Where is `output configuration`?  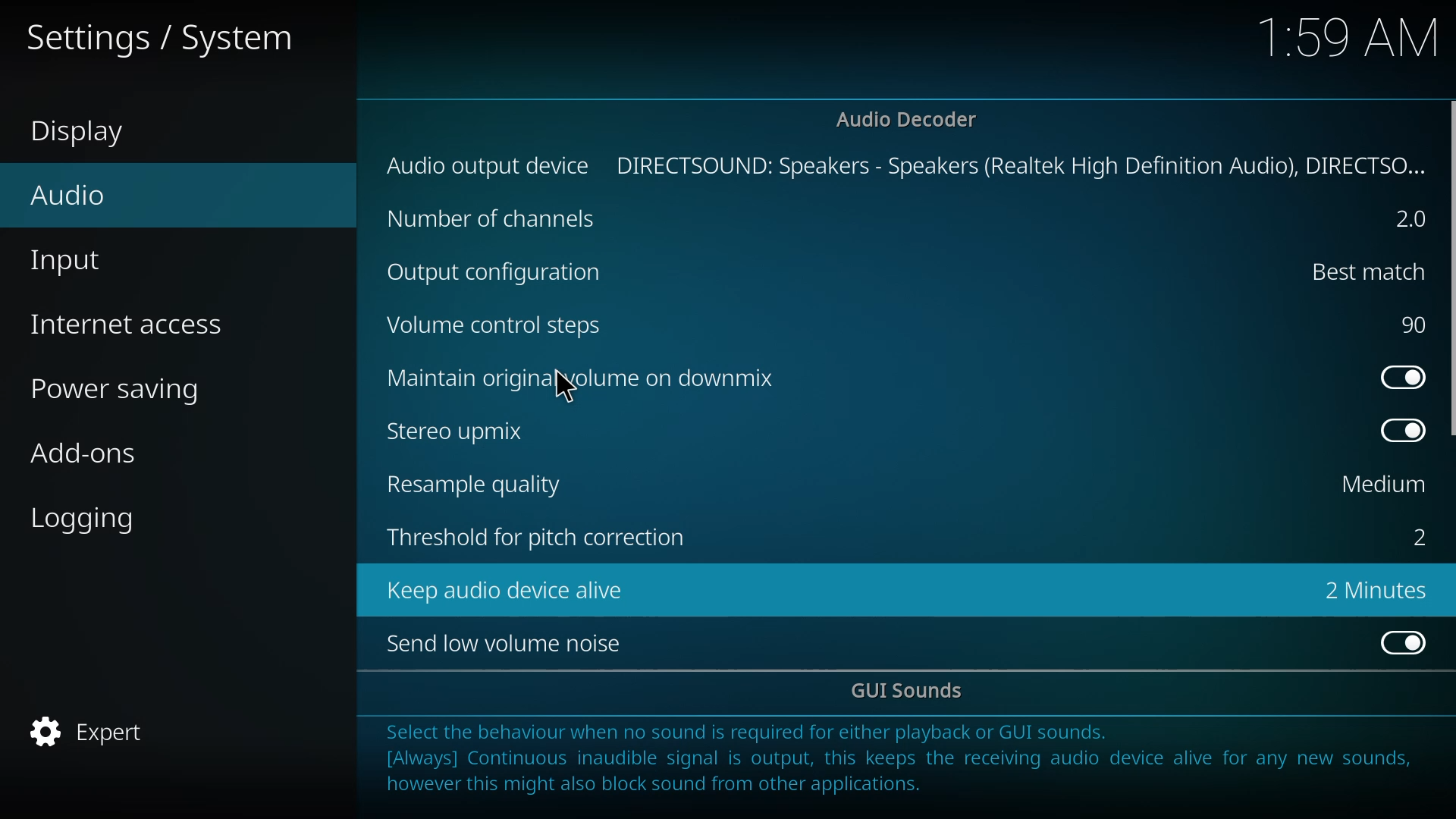 output configuration is located at coordinates (499, 272).